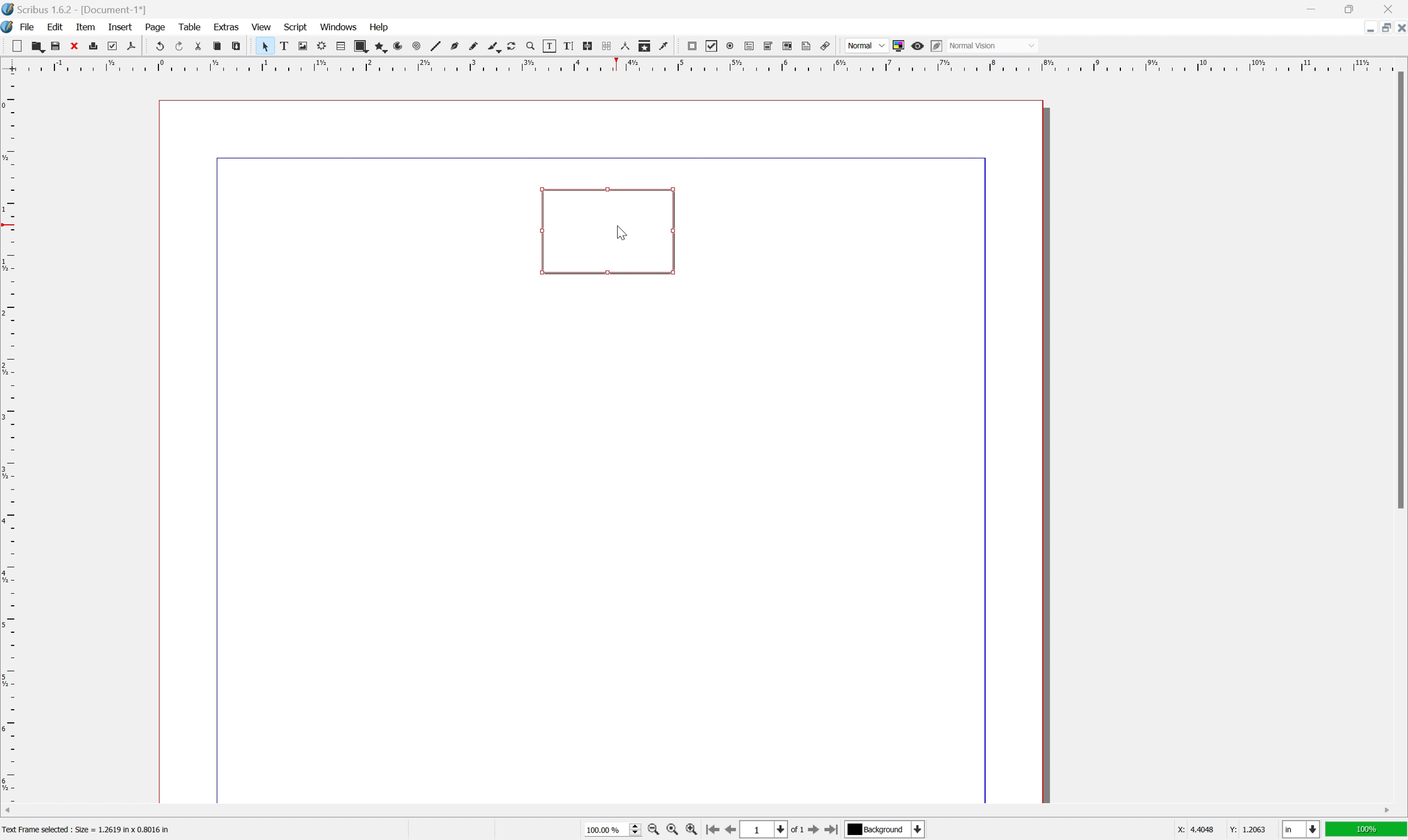  I want to click on edit contents of frame, so click(550, 45).